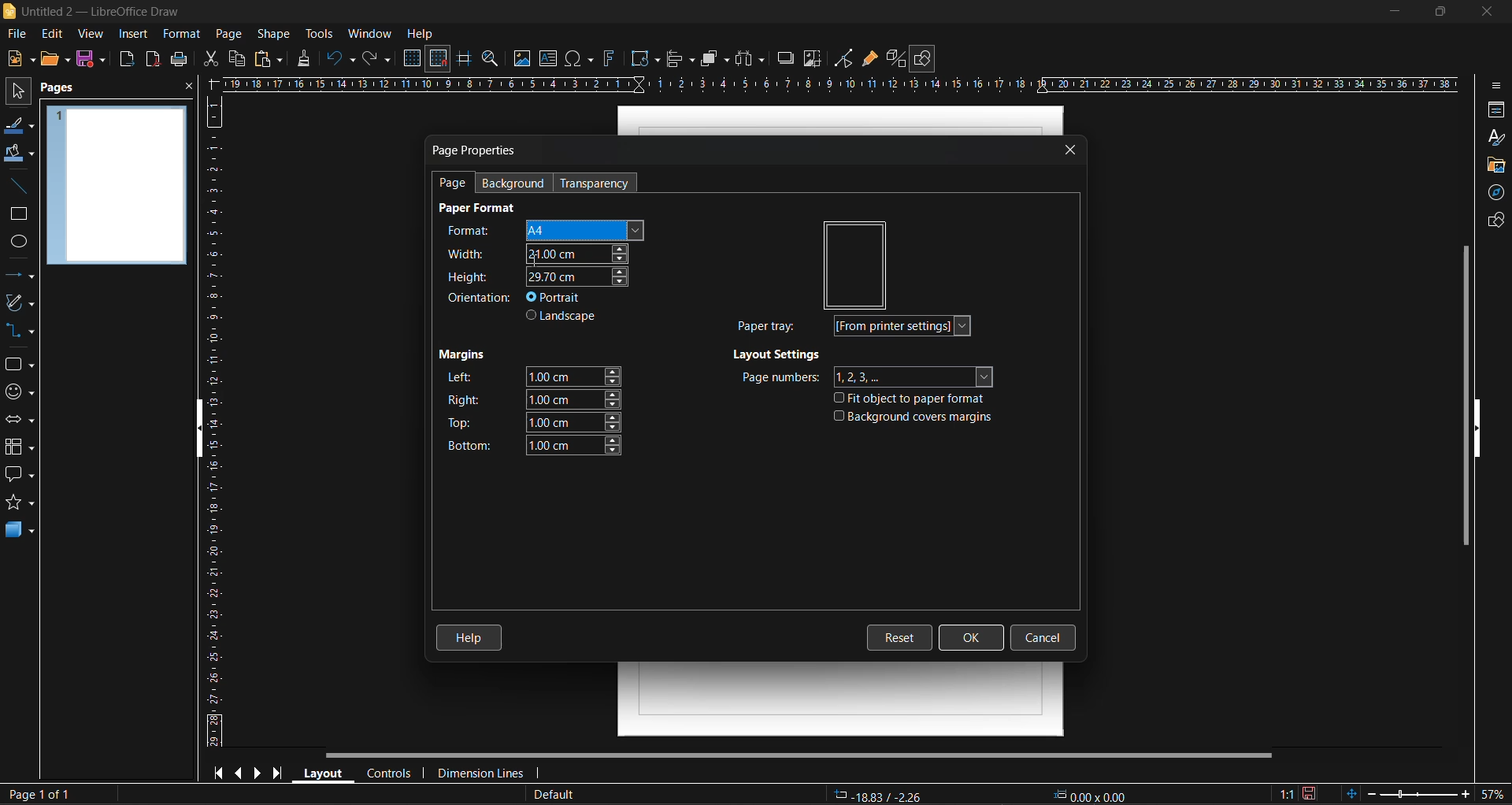 The height and width of the screenshot is (805, 1512). Describe the element at coordinates (391, 773) in the screenshot. I see `controls` at that location.